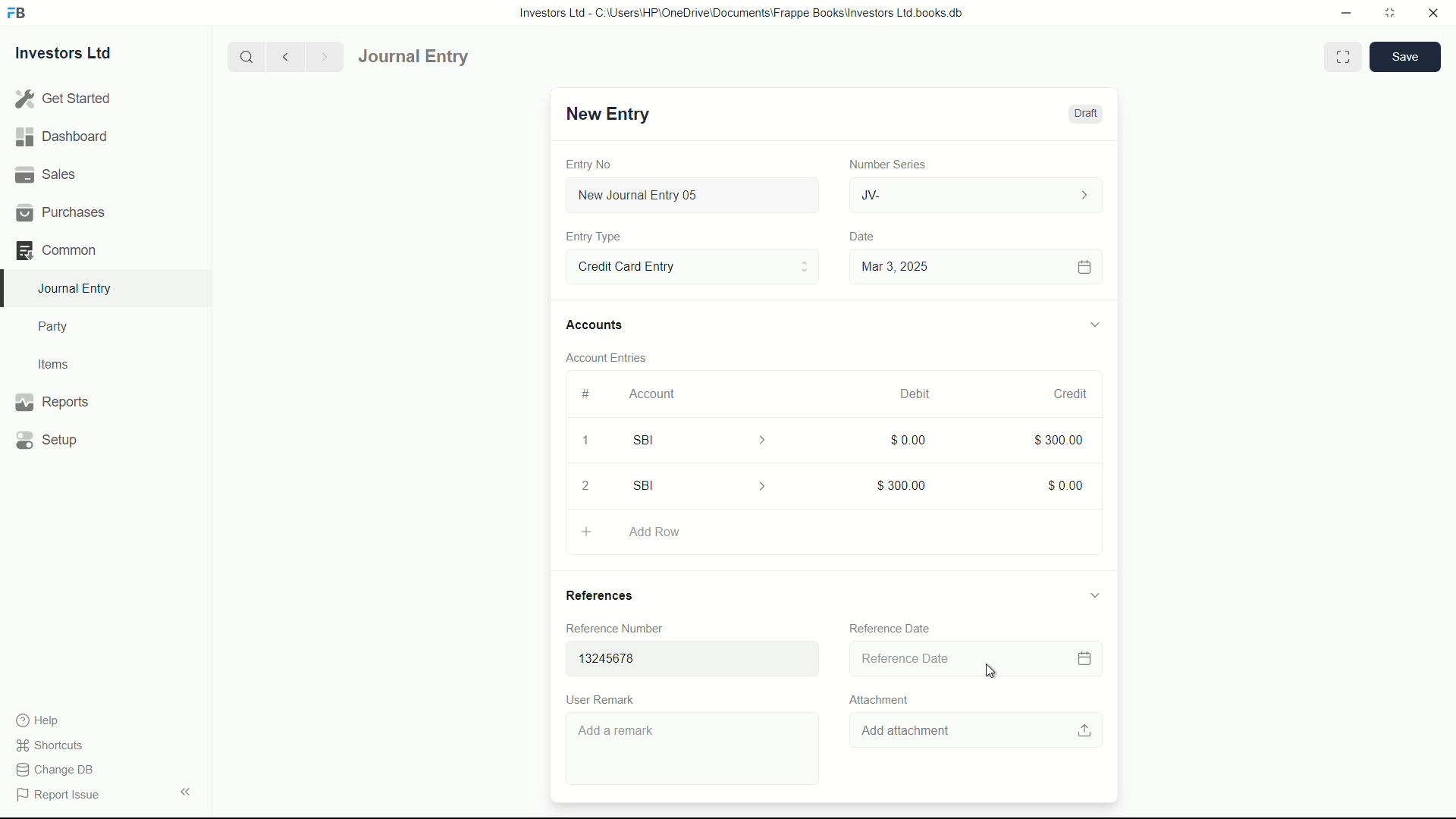 The width and height of the screenshot is (1456, 819). I want to click on Entry No, so click(591, 162).